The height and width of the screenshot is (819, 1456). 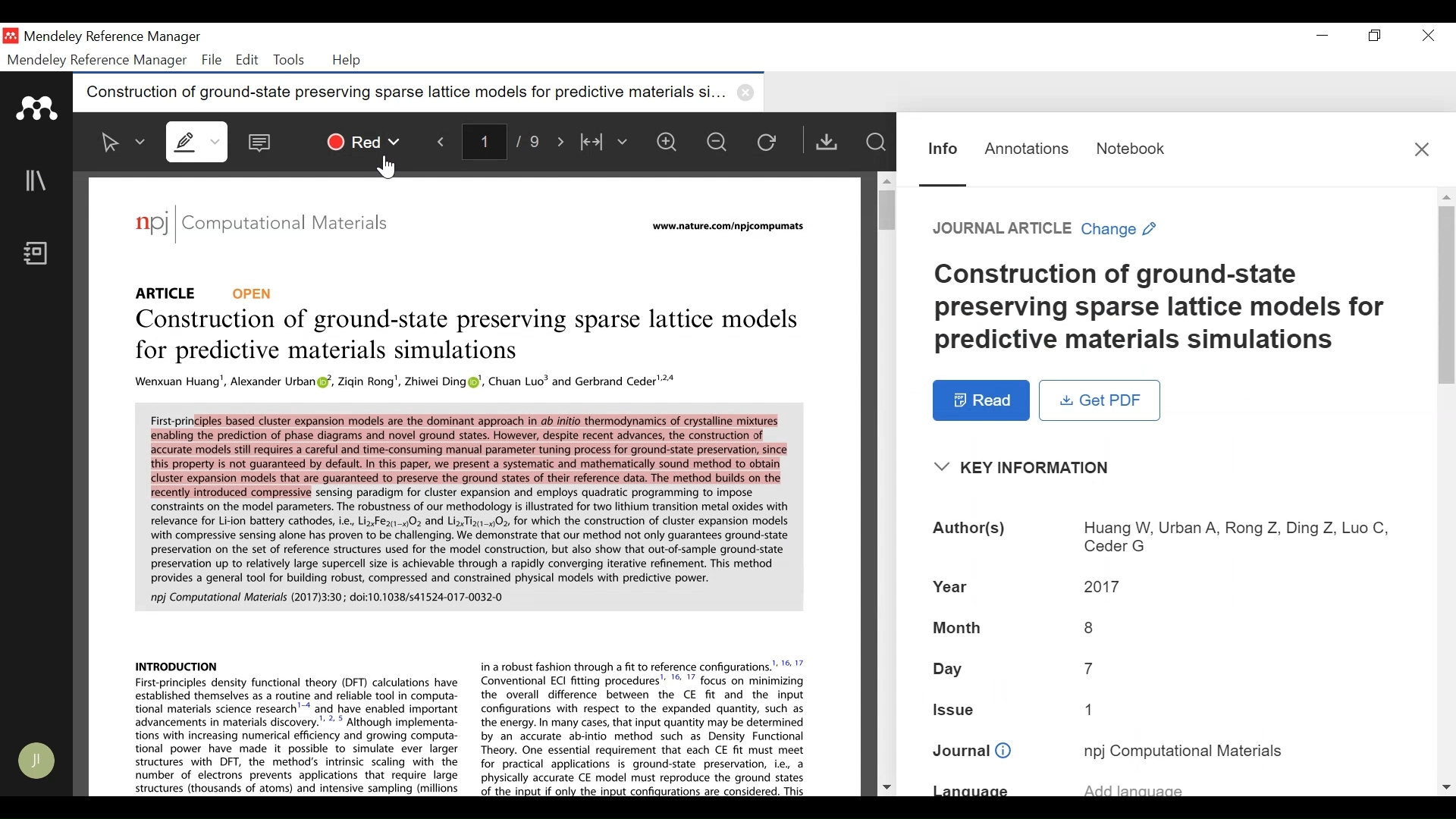 I want to click on Read, so click(x=982, y=401).